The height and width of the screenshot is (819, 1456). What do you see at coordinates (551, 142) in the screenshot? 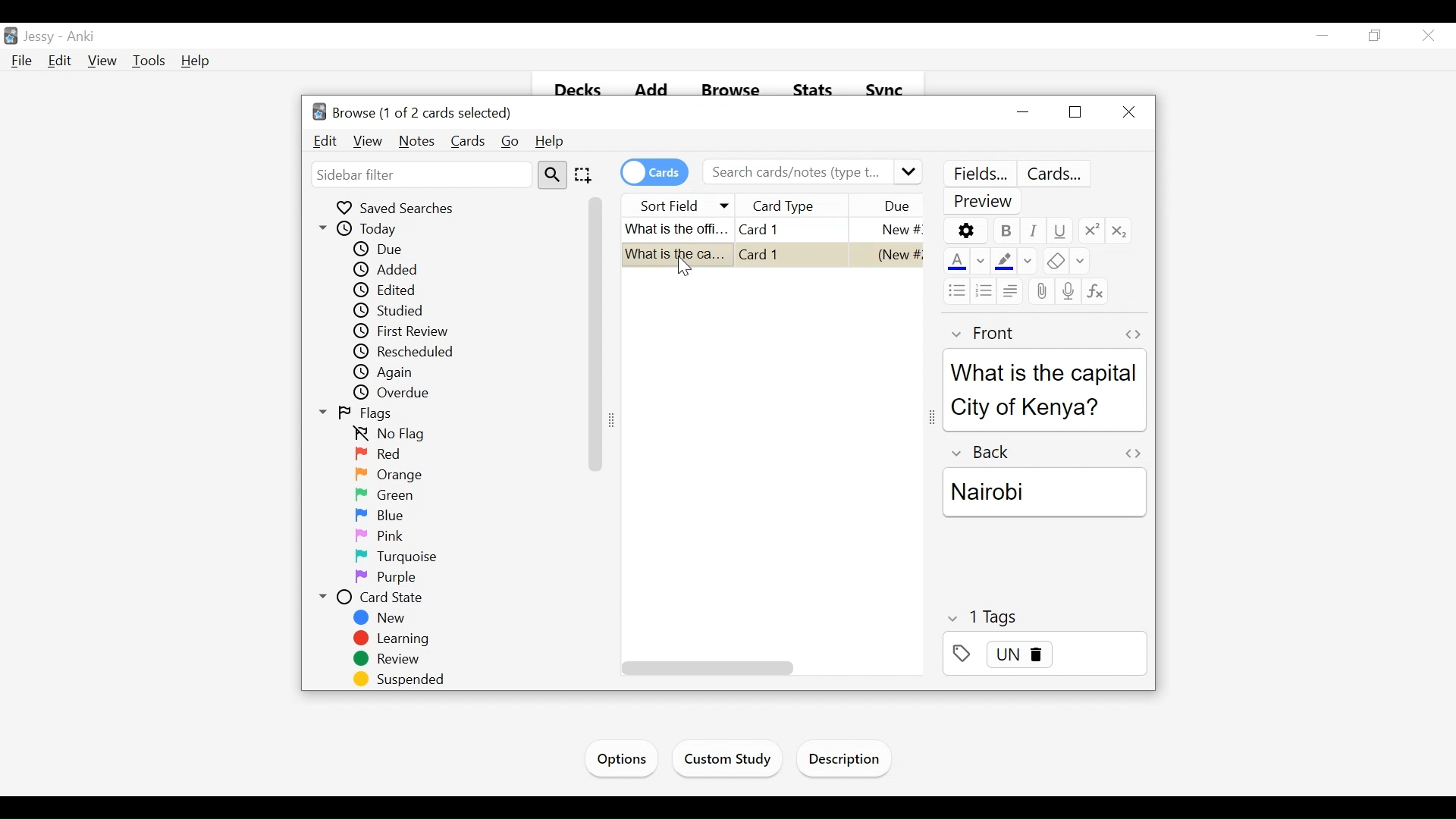
I see `Help` at bounding box center [551, 142].